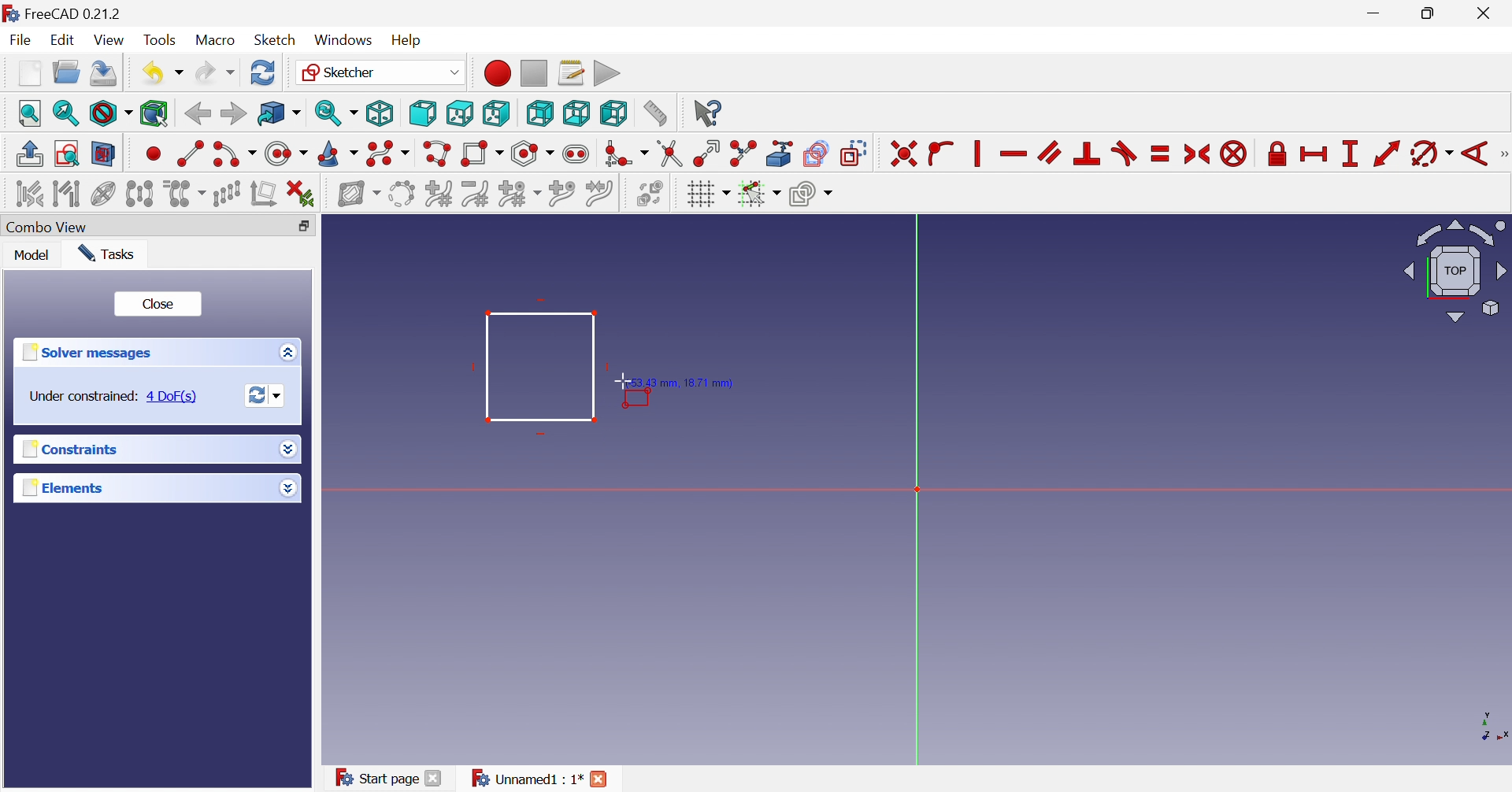  I want to click on Viewing angle, so click(1456, 272).